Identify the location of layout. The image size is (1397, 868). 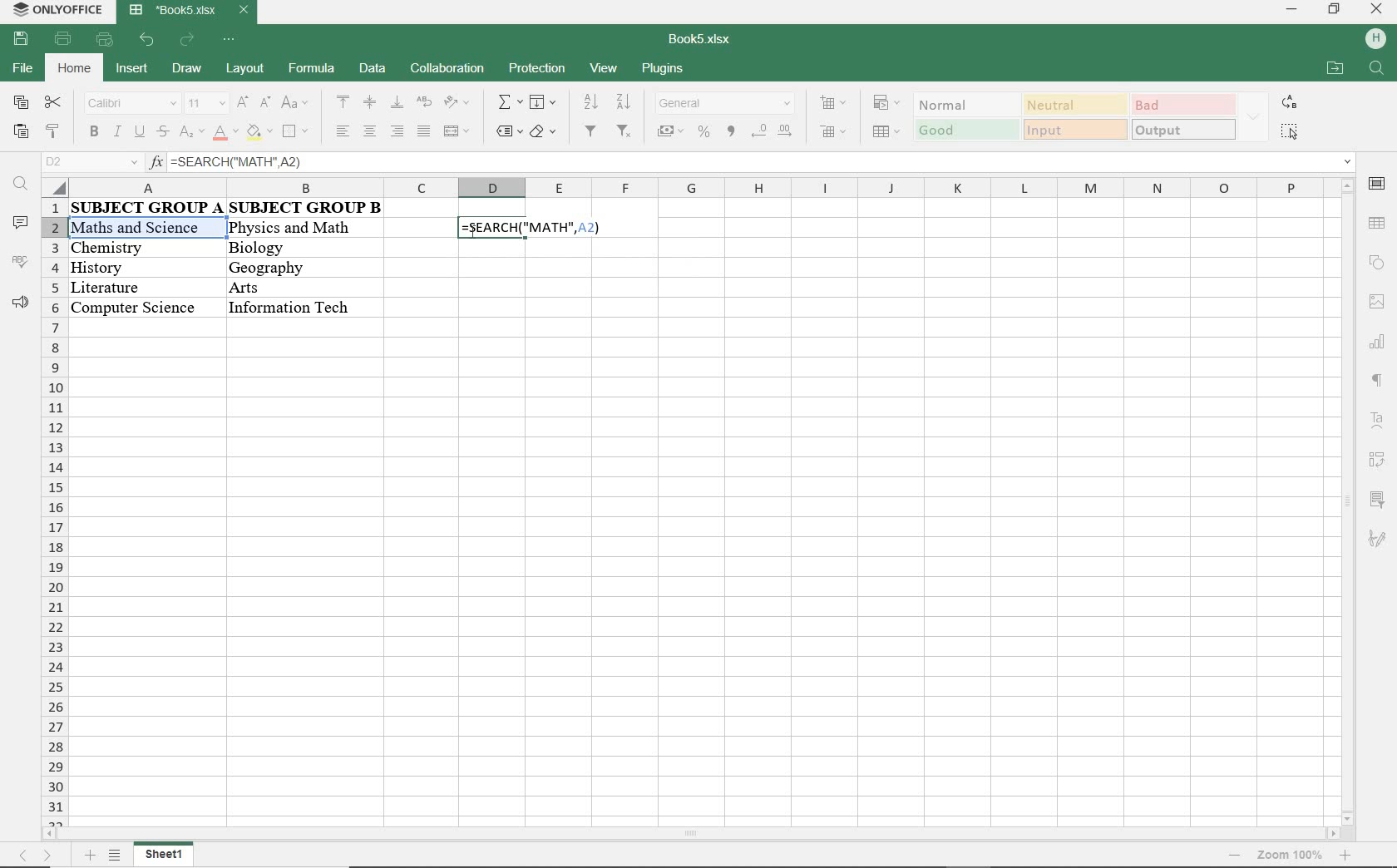
(244, 67).